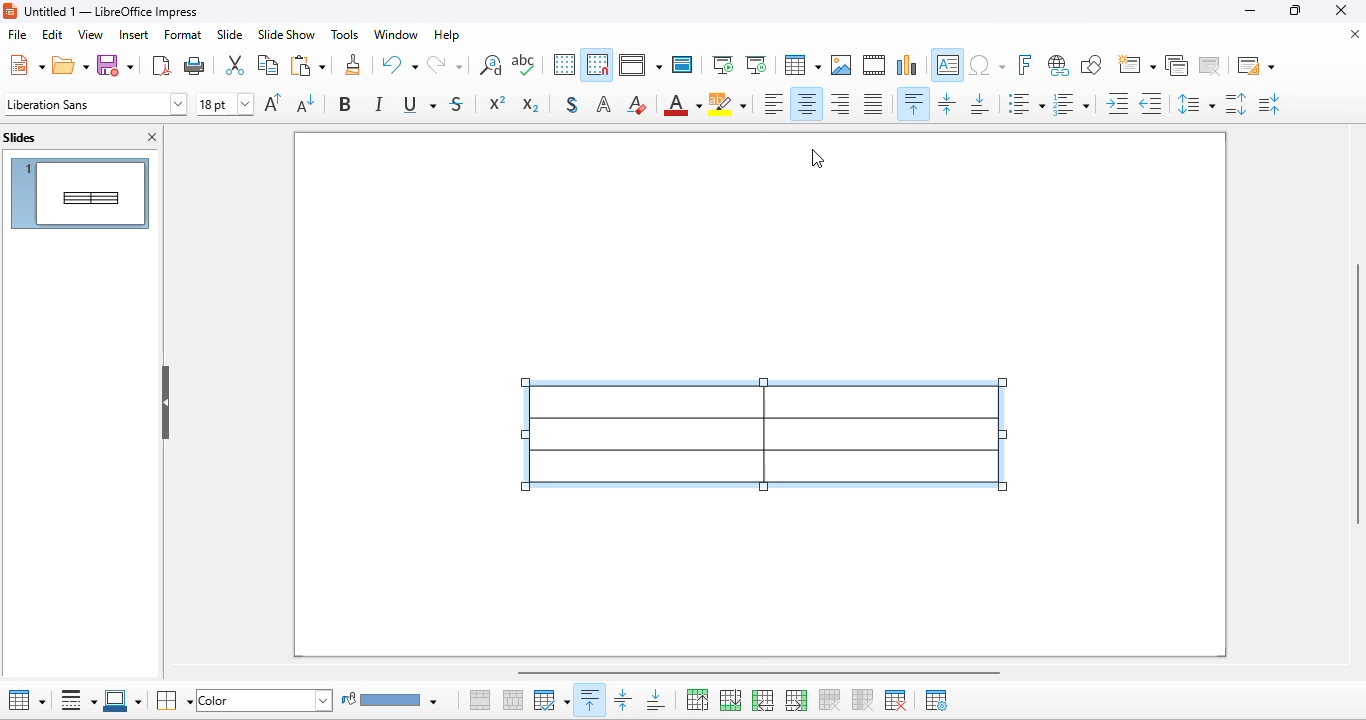  I want to click on align center, so click(806, 103).